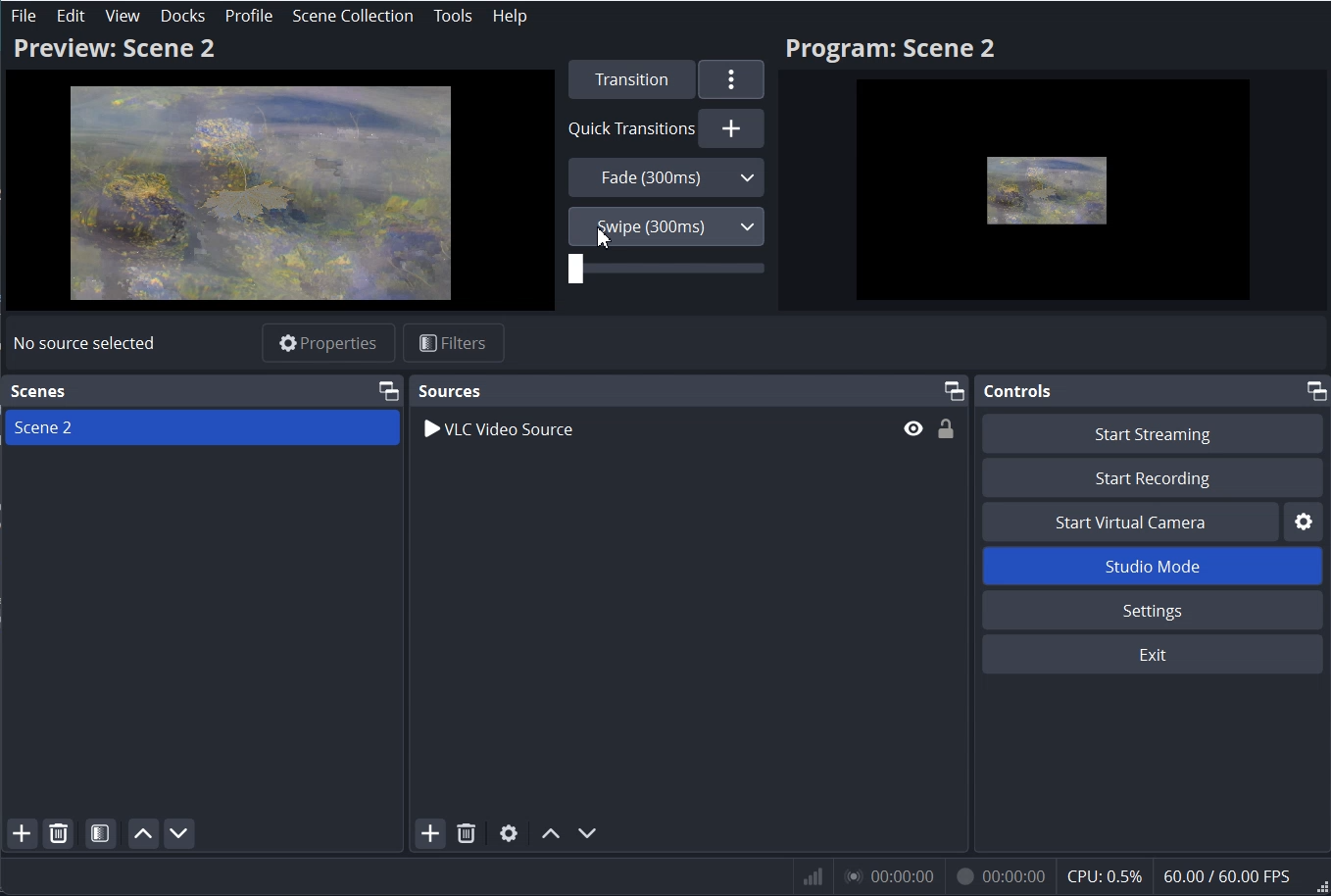 The image size is (1331, 896). Describe the element at coordinates (666, 272) in the screenshot. I see `Time Adjuster handle` at that location.